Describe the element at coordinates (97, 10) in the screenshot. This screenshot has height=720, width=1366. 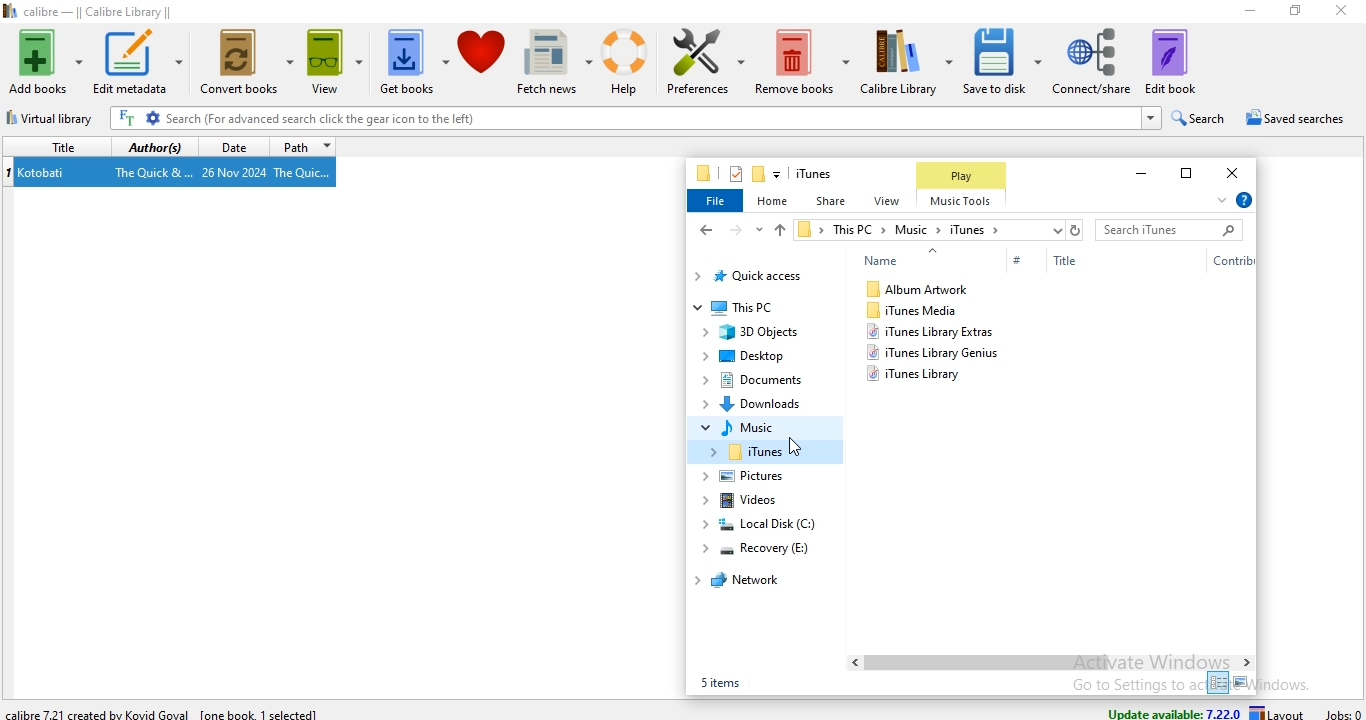
I see `calibre - || Calibre Library ||` at that location.